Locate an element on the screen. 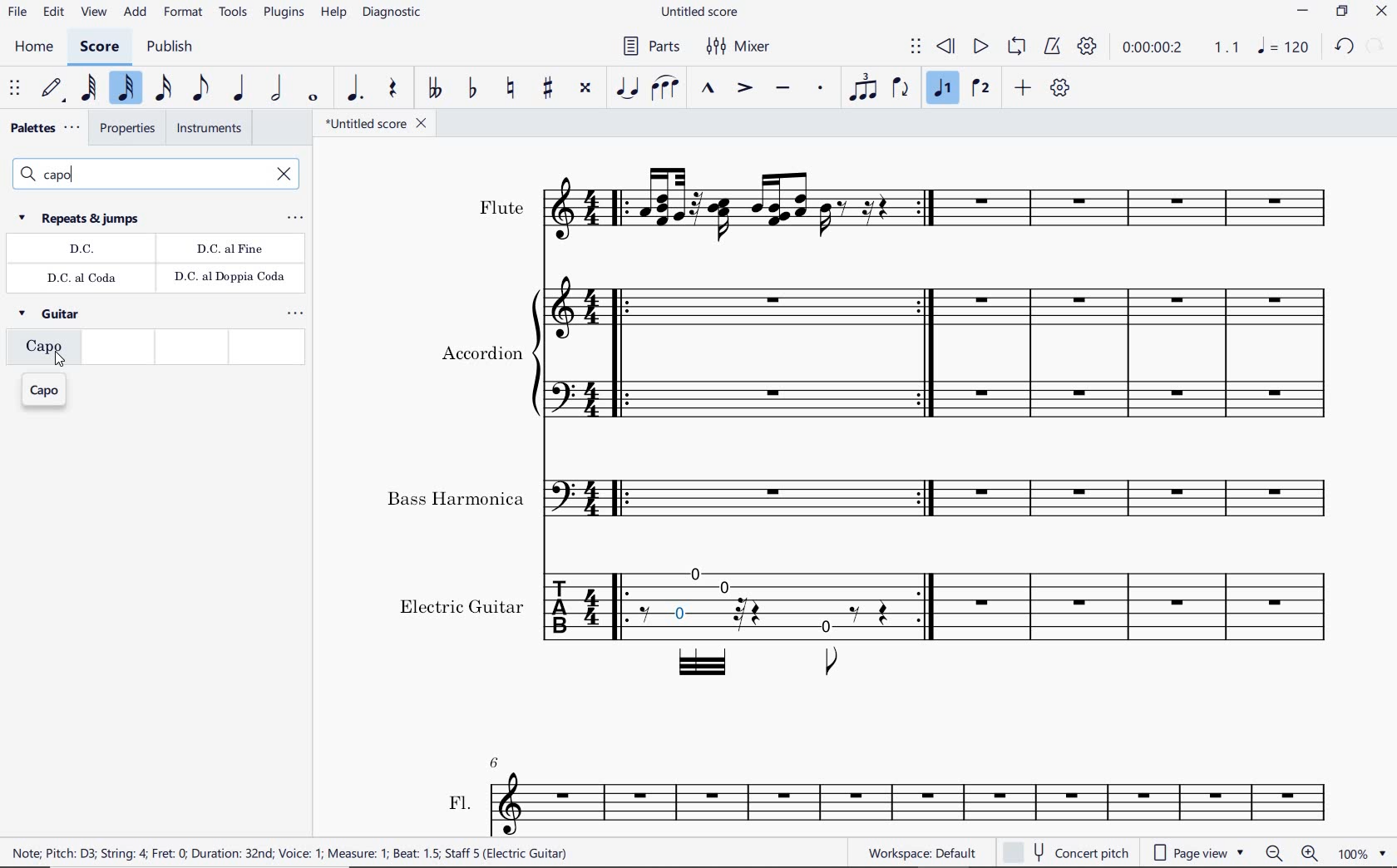 This screenshot has height=868, width=1397. plugins is located at coordinates (282, 13).